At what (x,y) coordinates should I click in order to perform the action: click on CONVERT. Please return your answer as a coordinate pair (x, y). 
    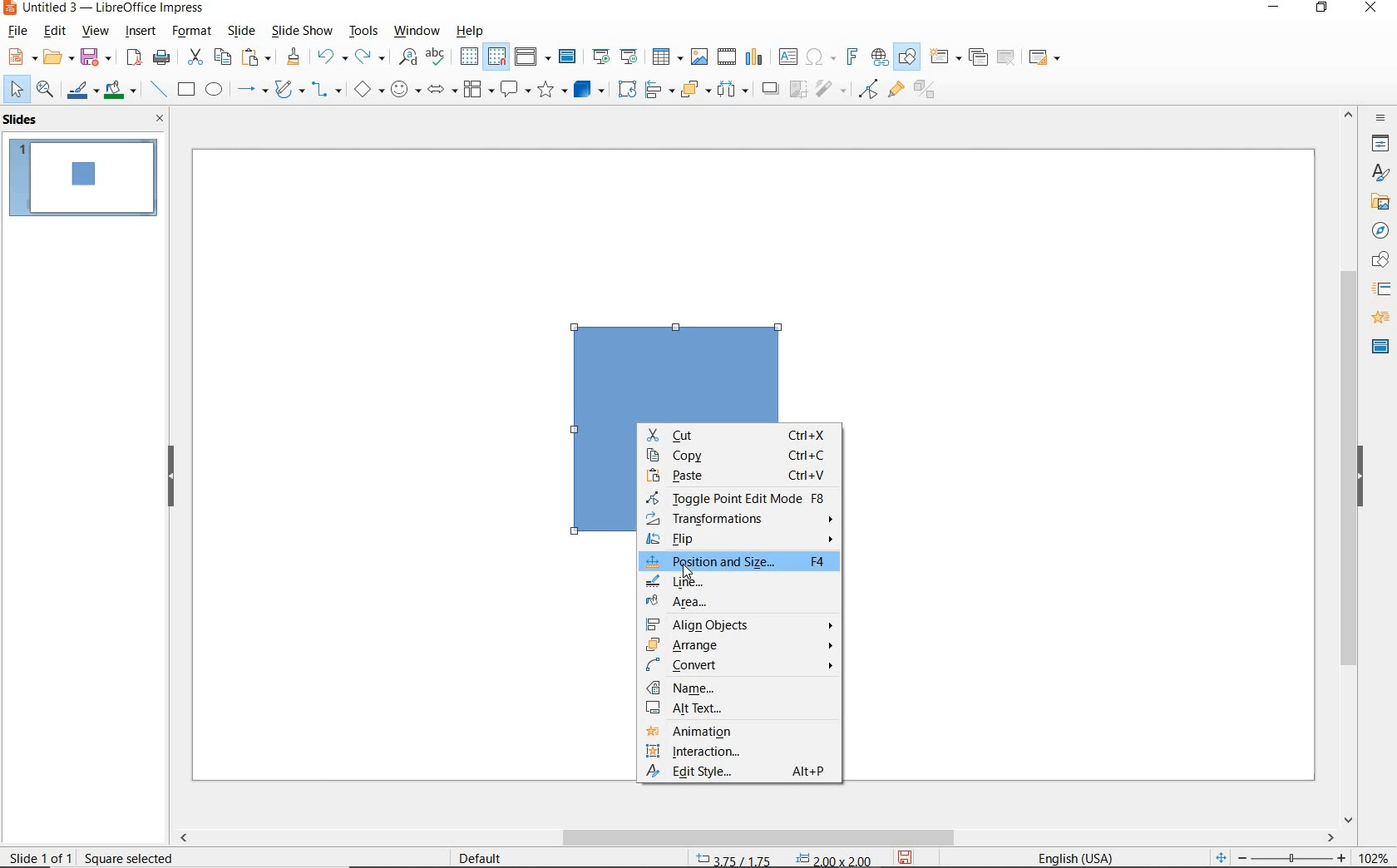
    Looking at the image, I should click on (741, 666).